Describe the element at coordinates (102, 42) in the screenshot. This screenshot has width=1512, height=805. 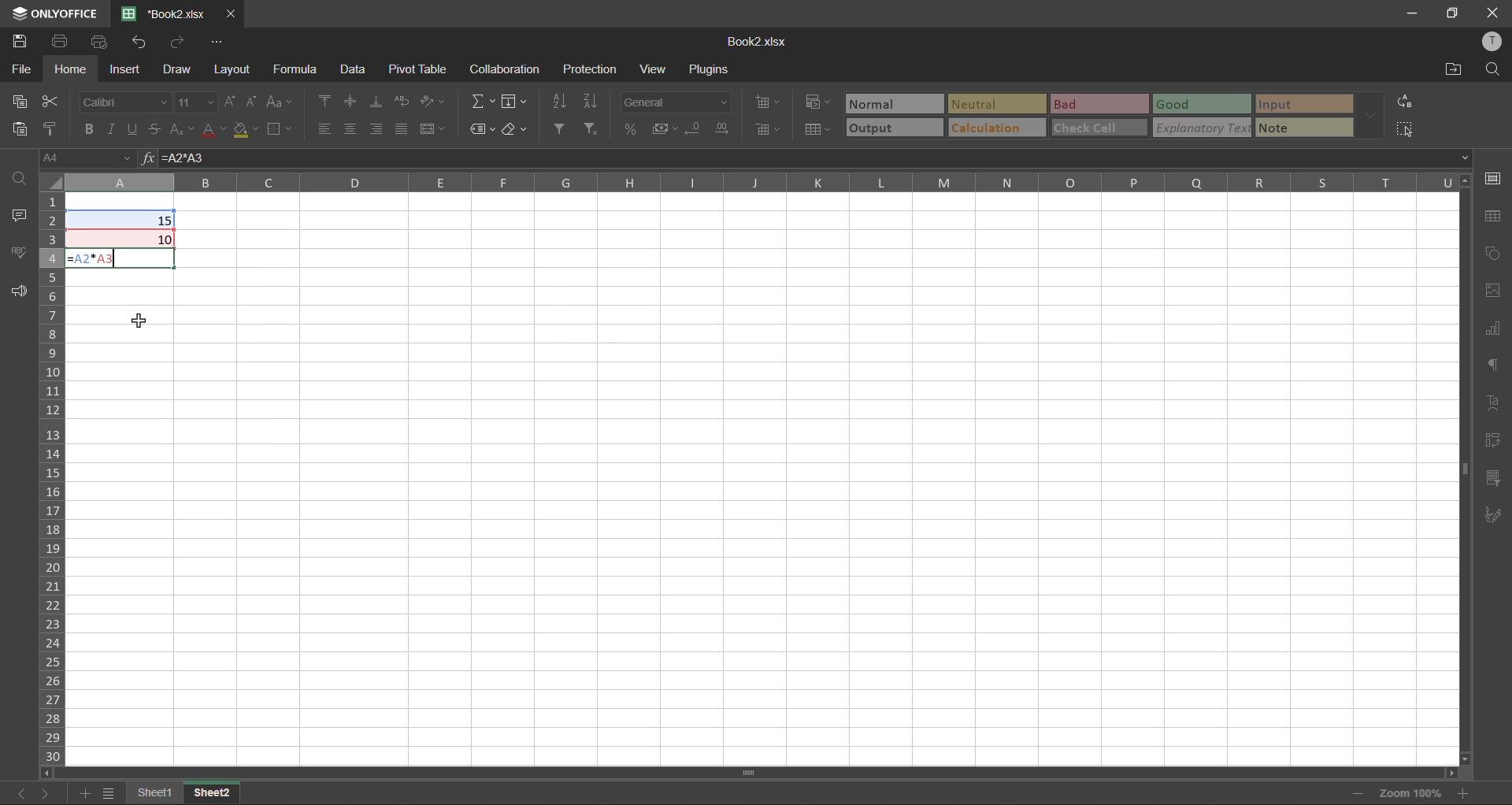
I see `quick print` at that location.